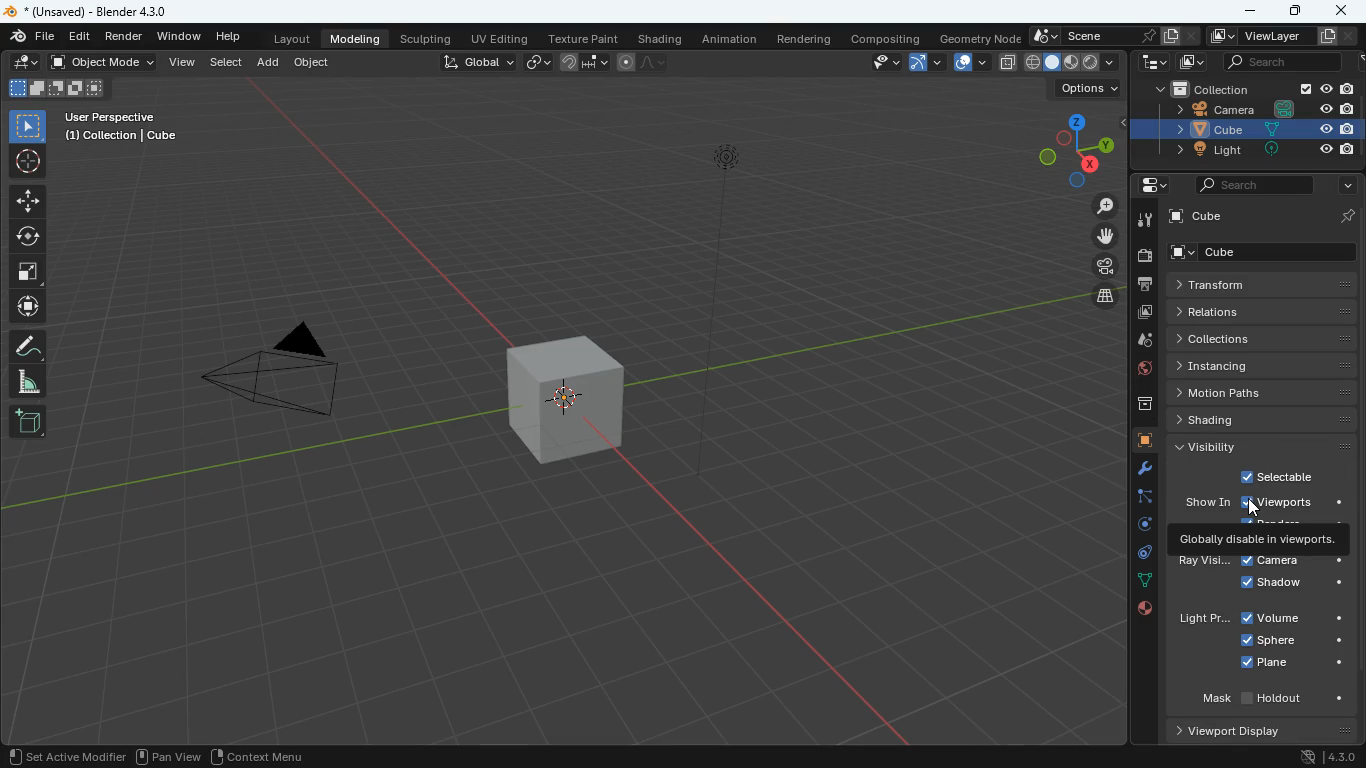  Describe the element at coordinates (1182, 36) in the screenshot. I see `document` at that location.